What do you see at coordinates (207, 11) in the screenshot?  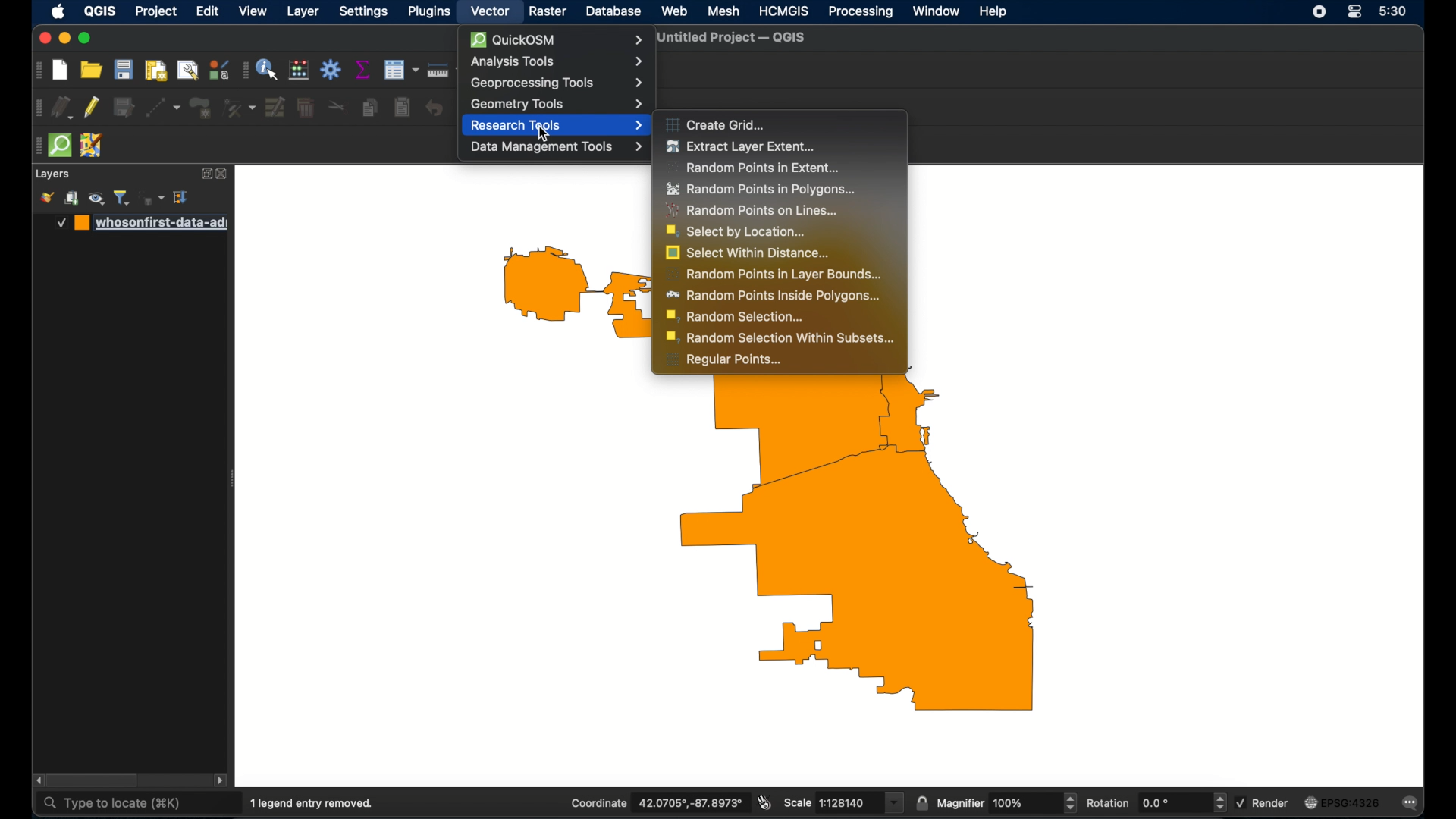 I see `edit` at bounding box center [207, 11].